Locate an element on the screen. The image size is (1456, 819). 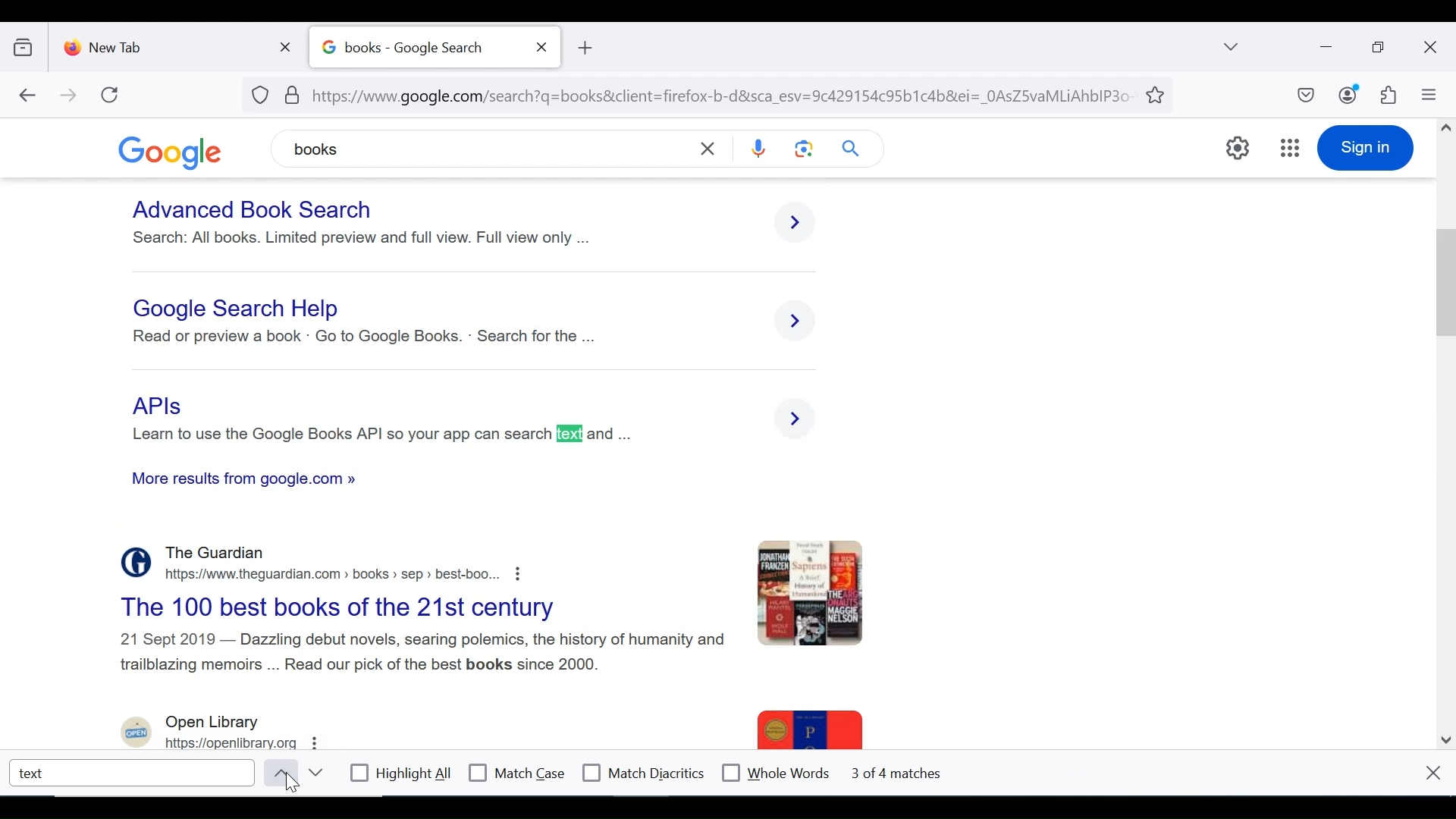
close is located at coordinates (1433, 772).